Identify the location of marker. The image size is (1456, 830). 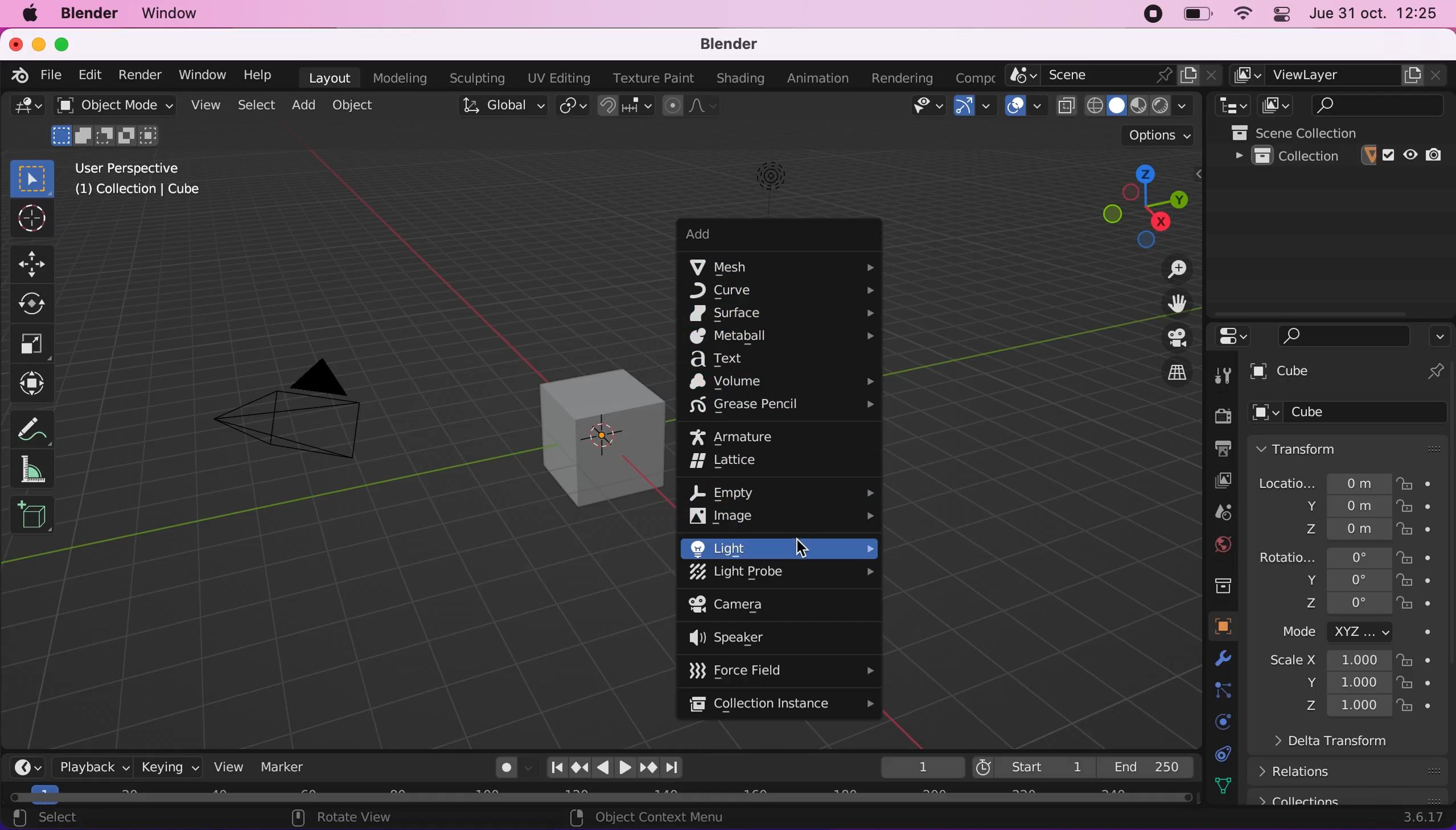
(288, 766).